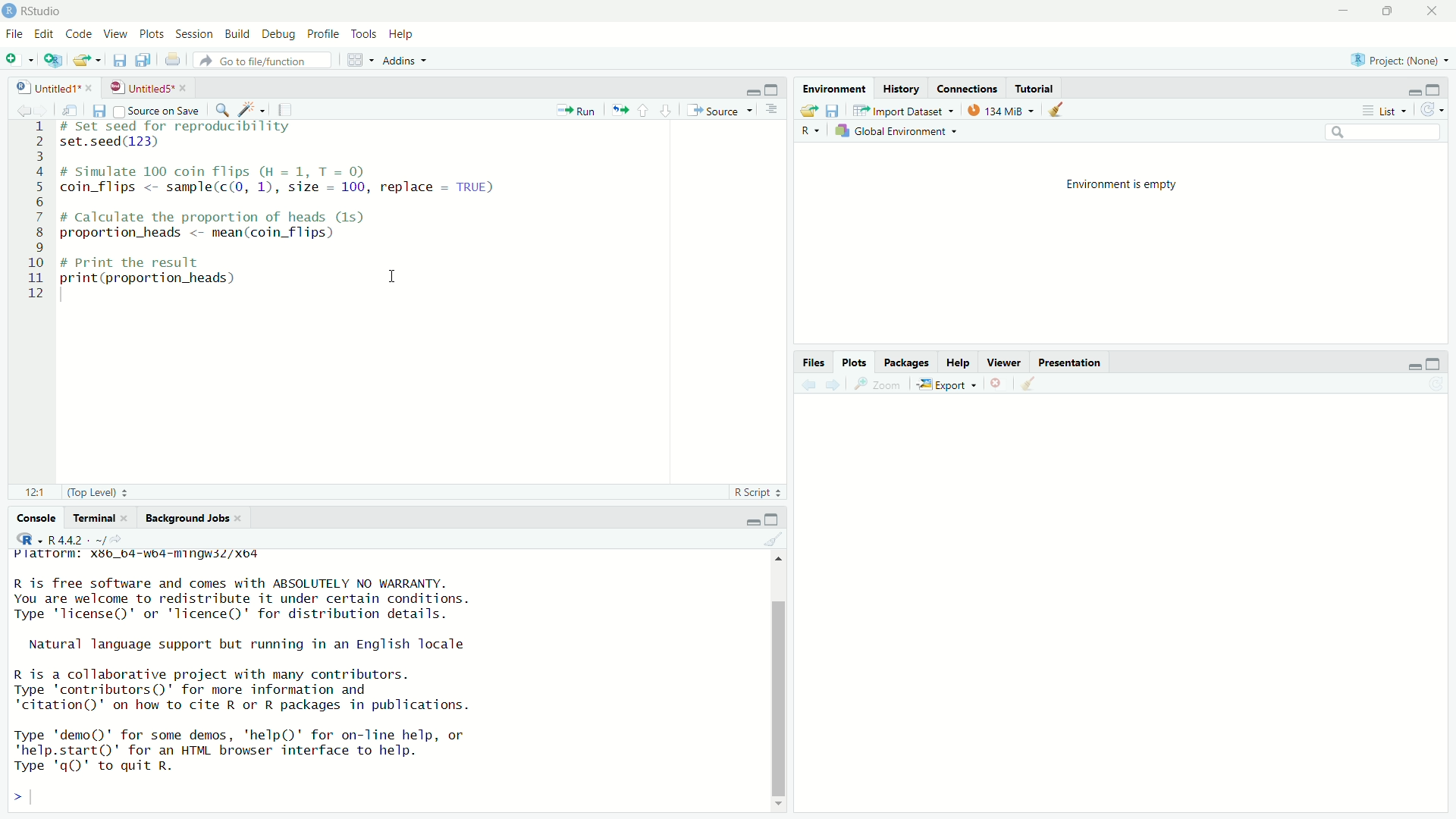  I want to click on select language, so click(24, 540).